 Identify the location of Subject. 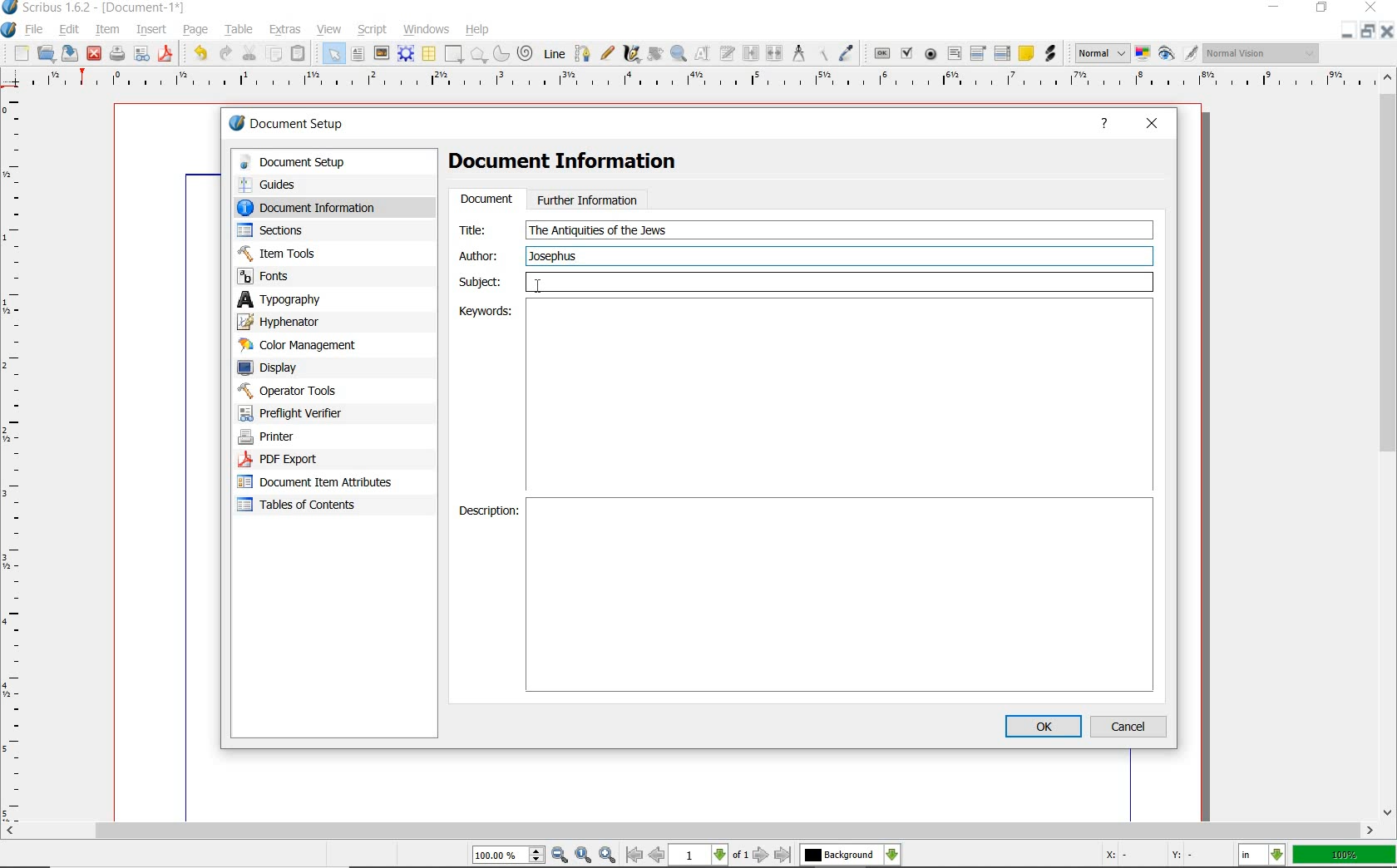
(806, 283).